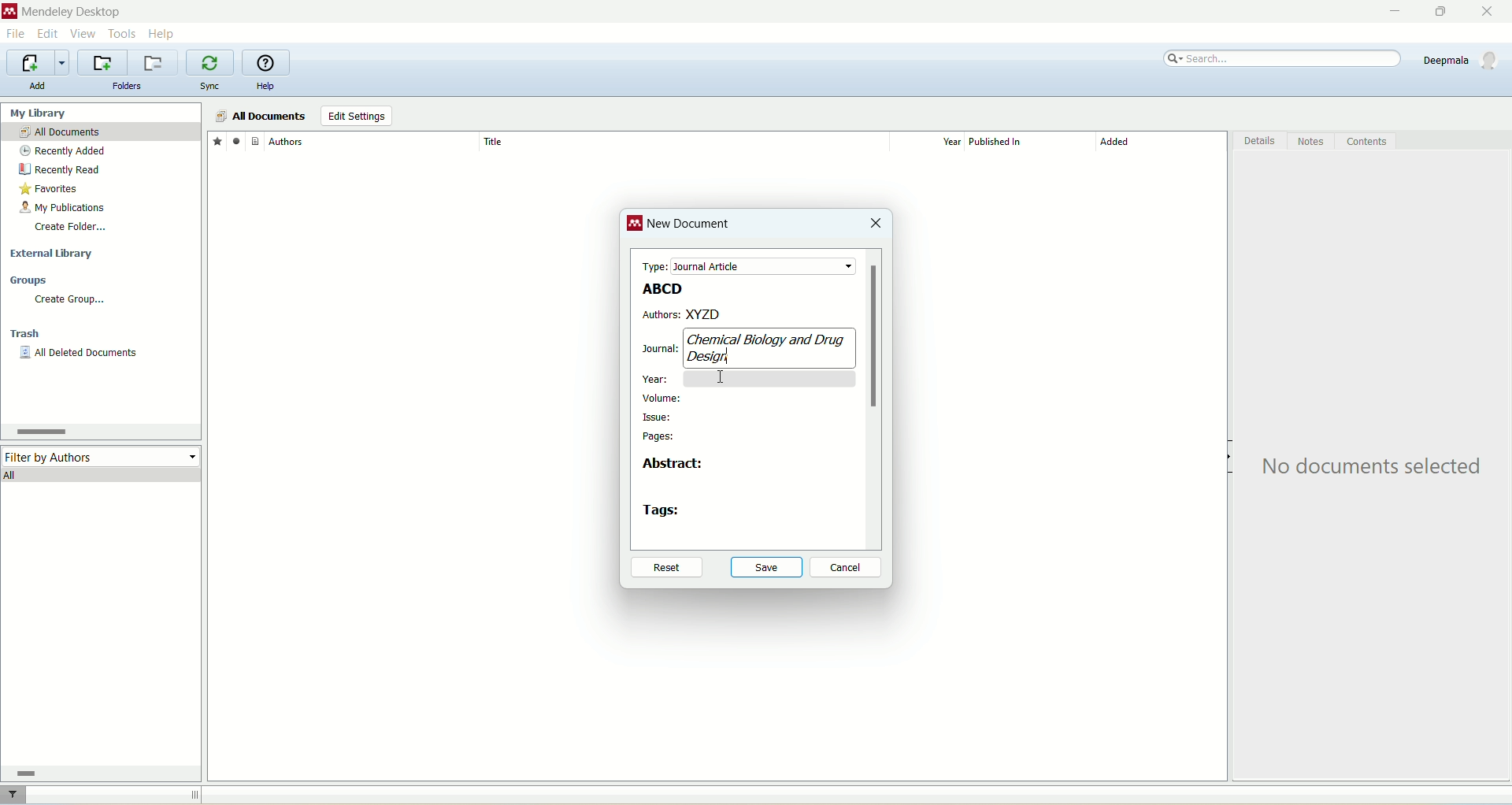 Image resolution: width=1512 pixels, height=805 pixels. I want to click on abstract, so click(673, 467).